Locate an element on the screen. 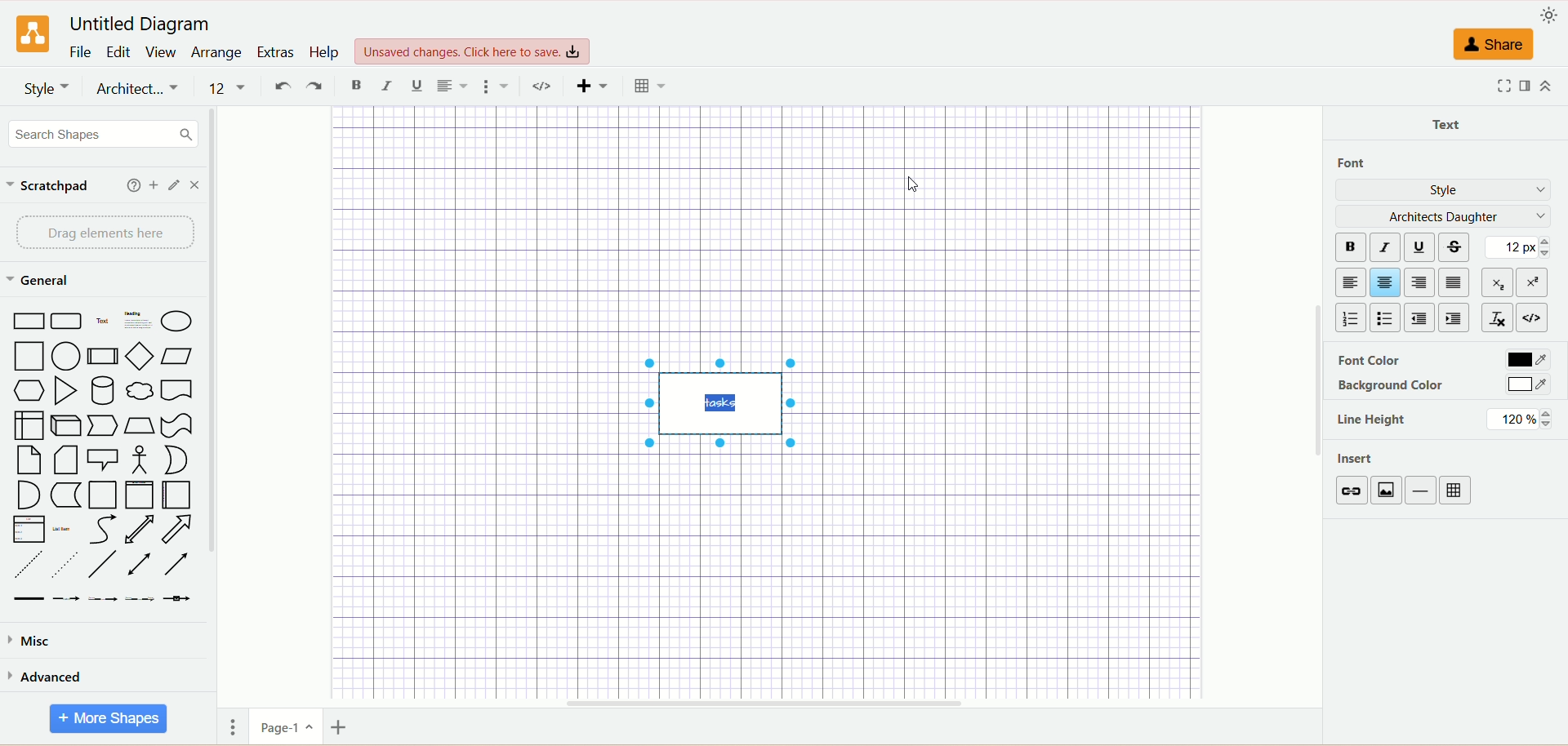  Speech Bubble is located at coordinates (103, 461).